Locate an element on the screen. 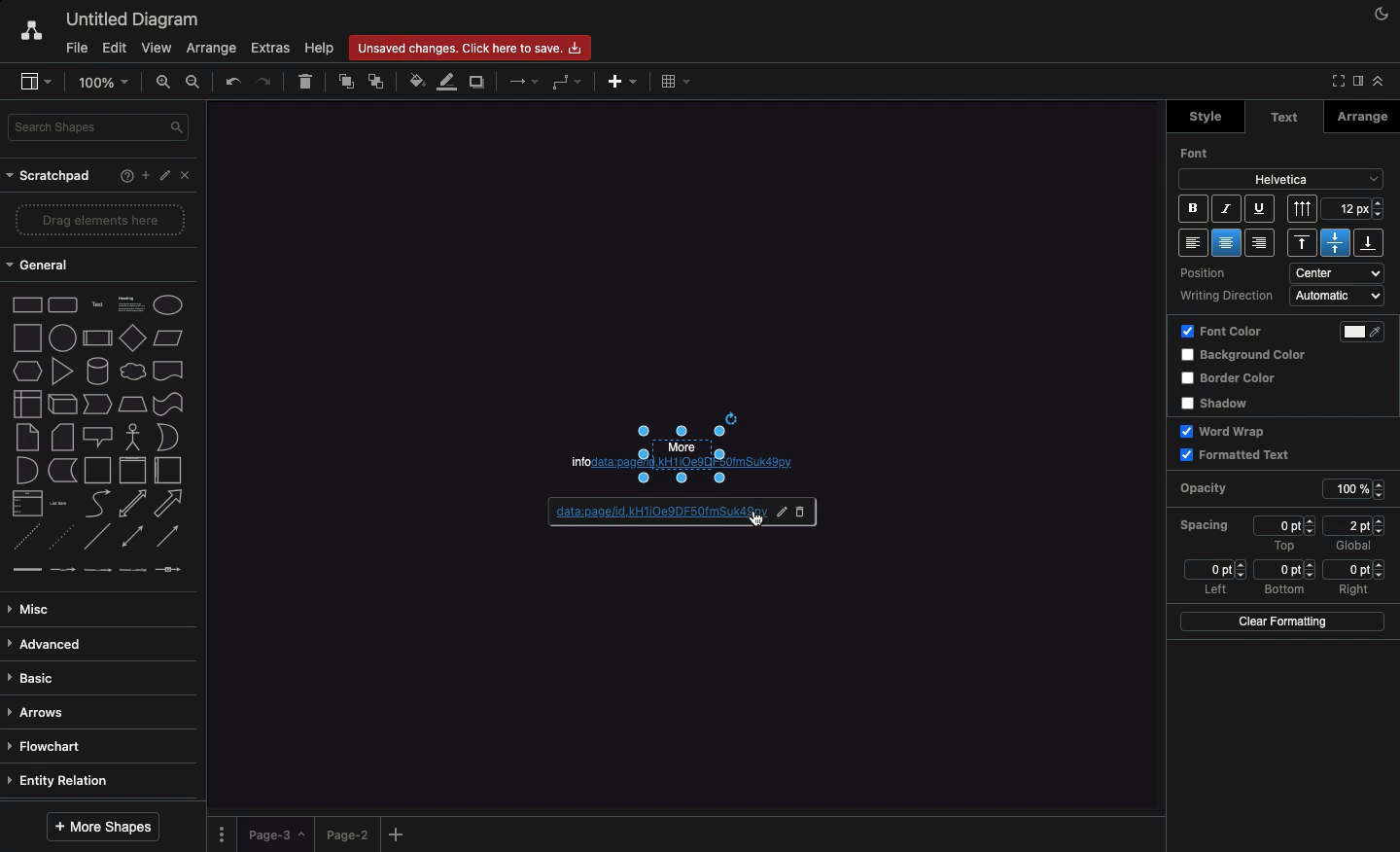 The height and width of the screenshot is (852, 1400). Right aligned is located at coordinates (1260, 242).